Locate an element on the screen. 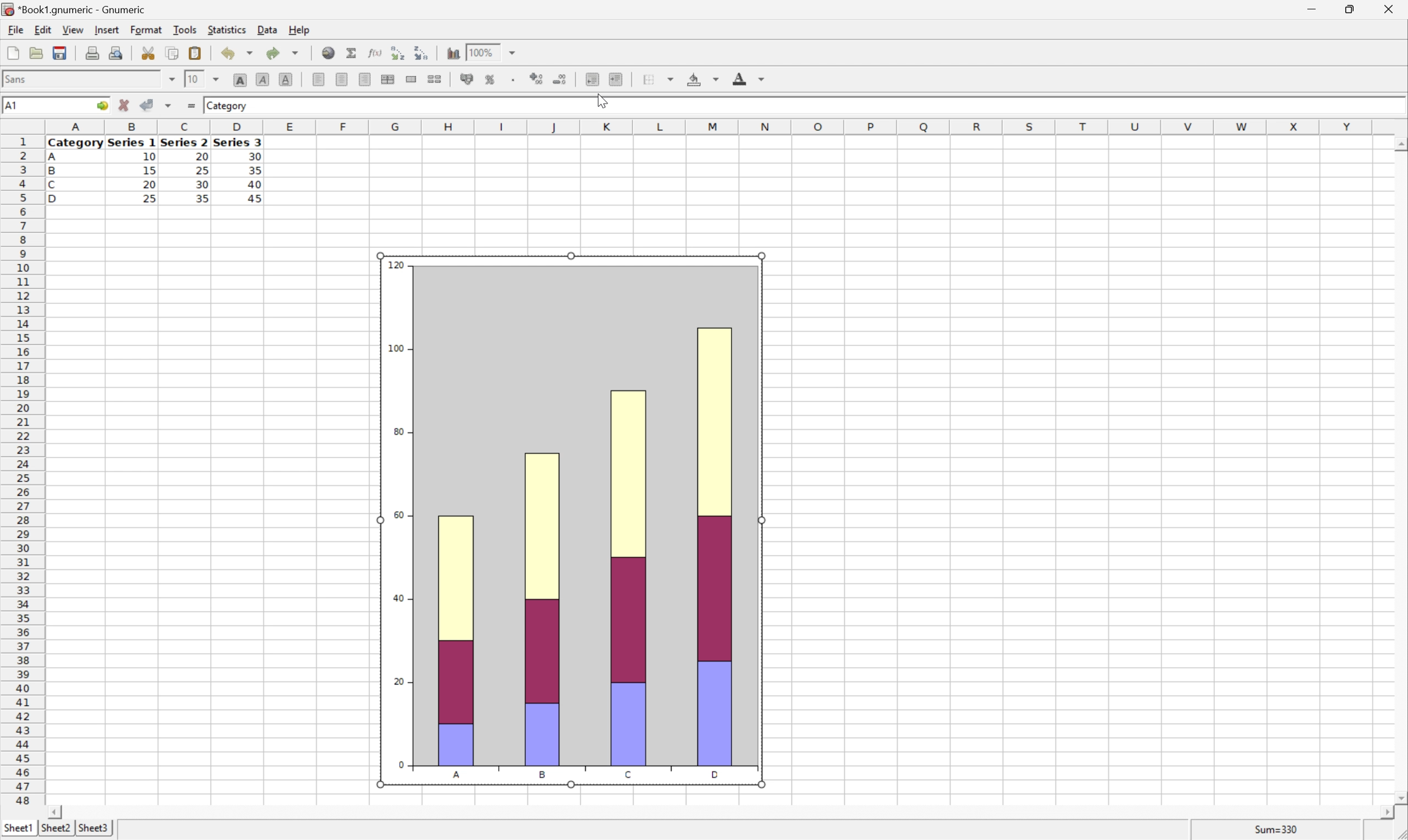  Undo is located at coordinates (238, 51).